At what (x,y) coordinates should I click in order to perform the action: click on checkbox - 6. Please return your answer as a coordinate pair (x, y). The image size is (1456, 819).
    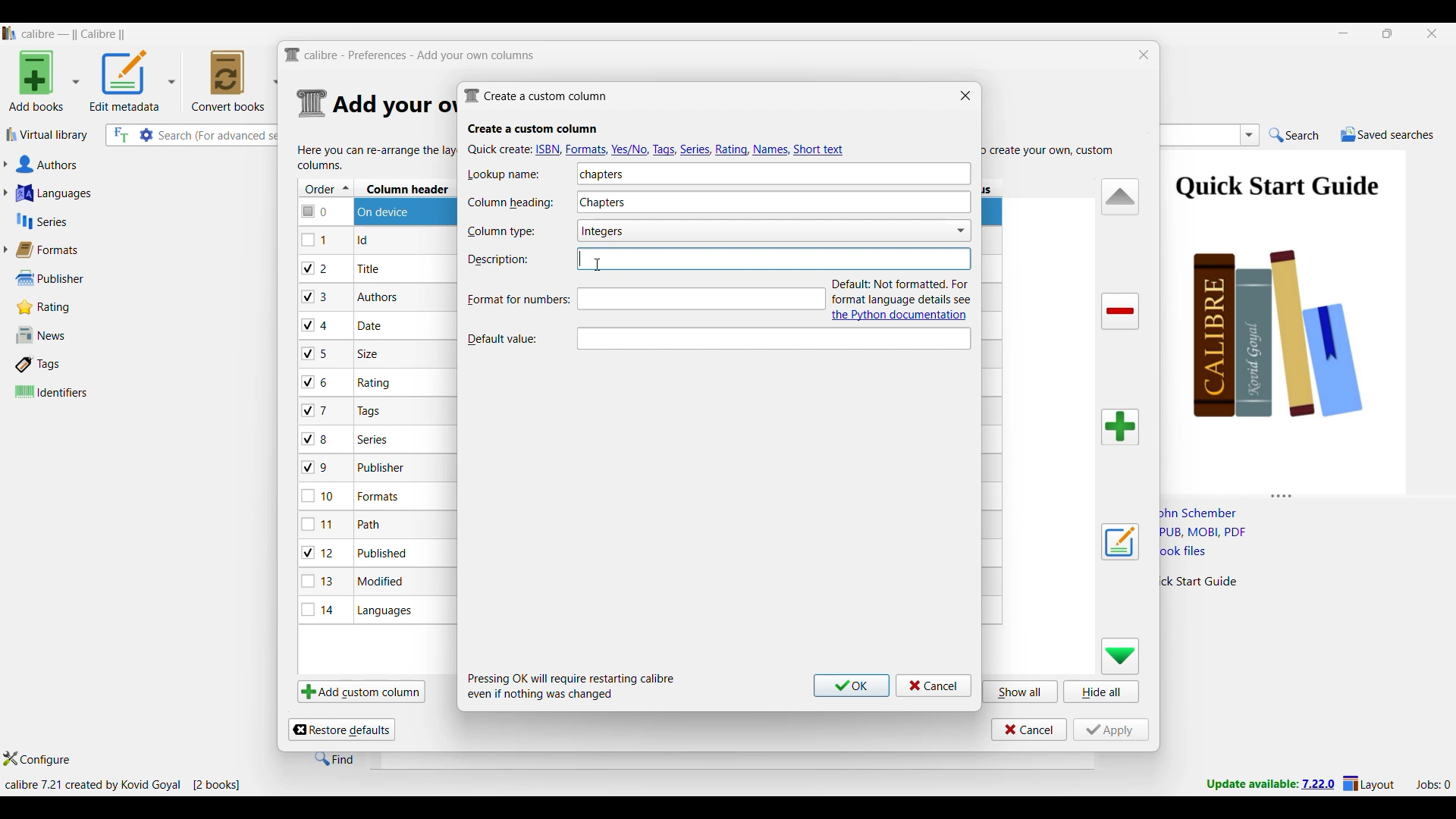
    Looking at the image, I should click on (318, 383).